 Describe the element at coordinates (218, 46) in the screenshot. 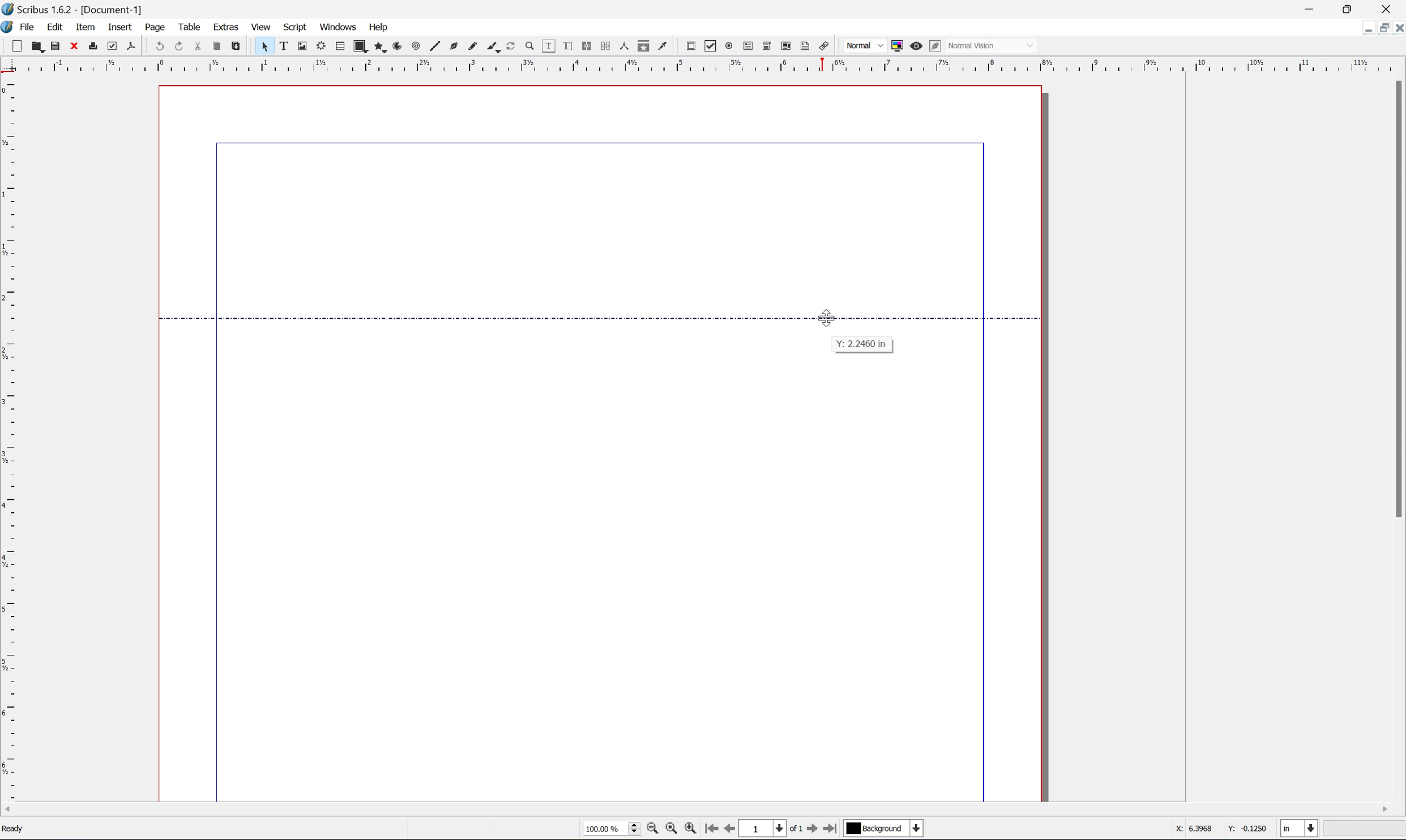

I see `copy` at that location.